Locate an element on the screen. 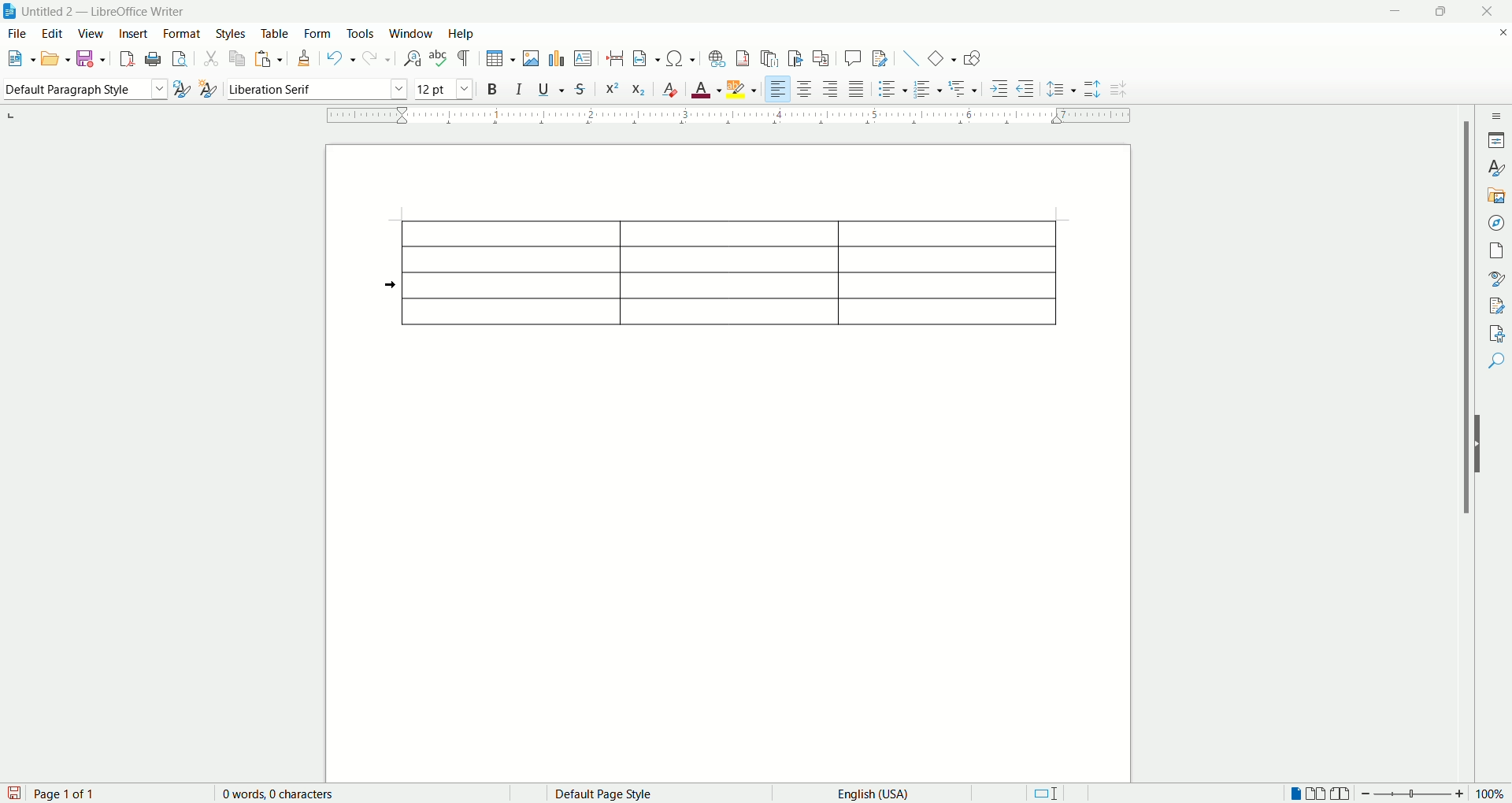  multiple page view is located at coordinates (1317, 792).